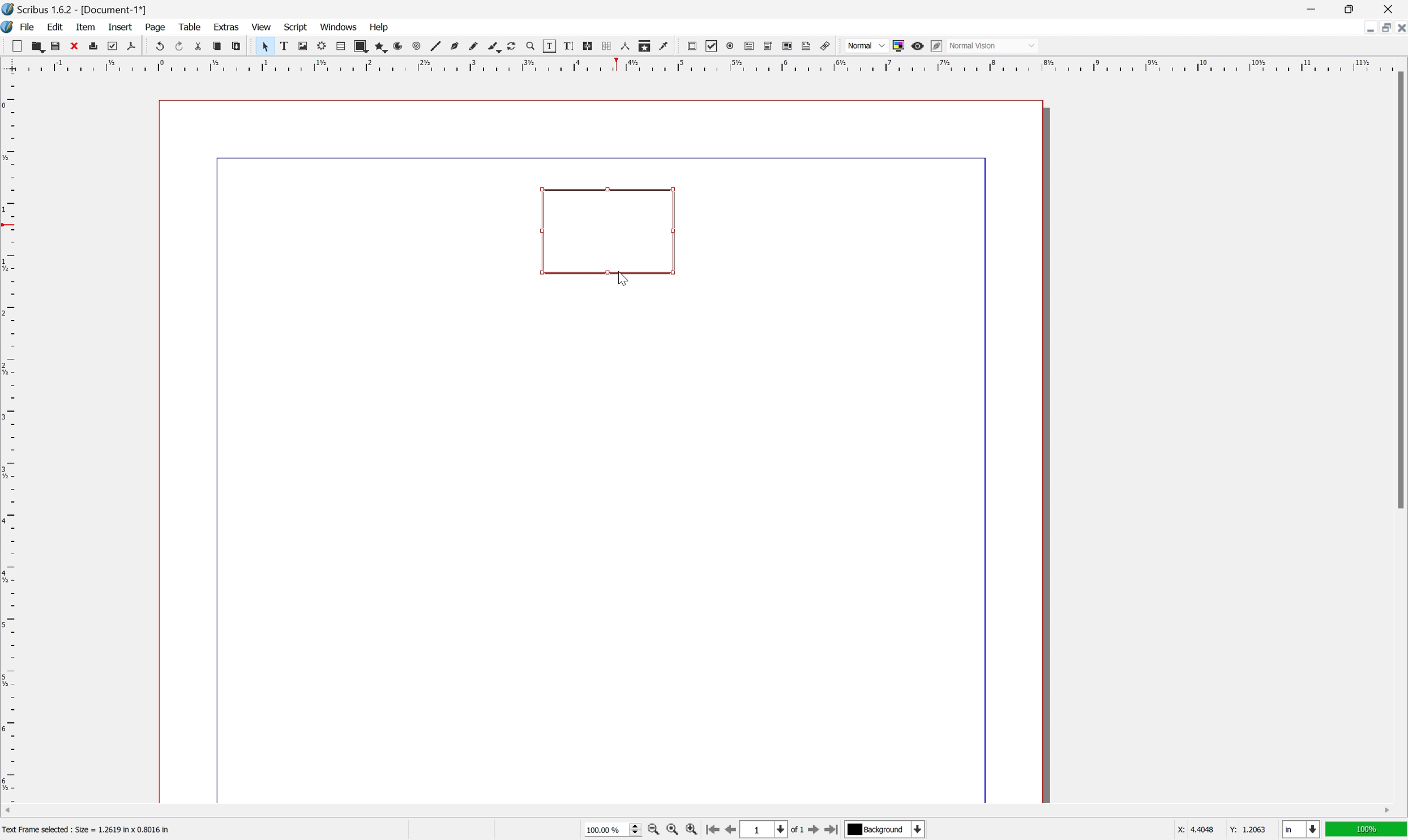 The image size is (1408, 840). What do you see at coordinates (217, 46) in the screenshot?
I see `copy` at bounding box center [217, 46].